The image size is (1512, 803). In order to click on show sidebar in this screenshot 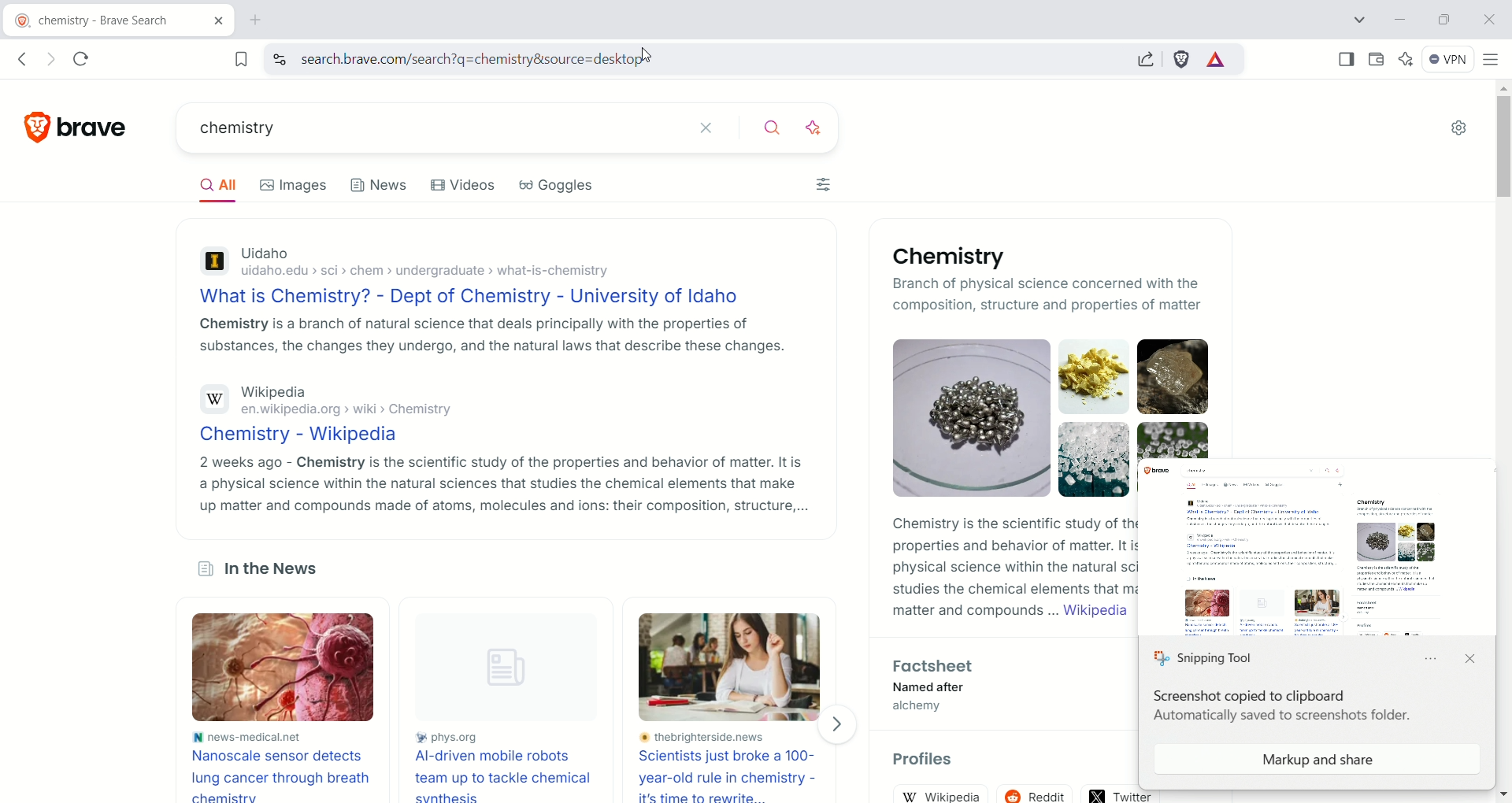, I will do `click(1347, 58)`.